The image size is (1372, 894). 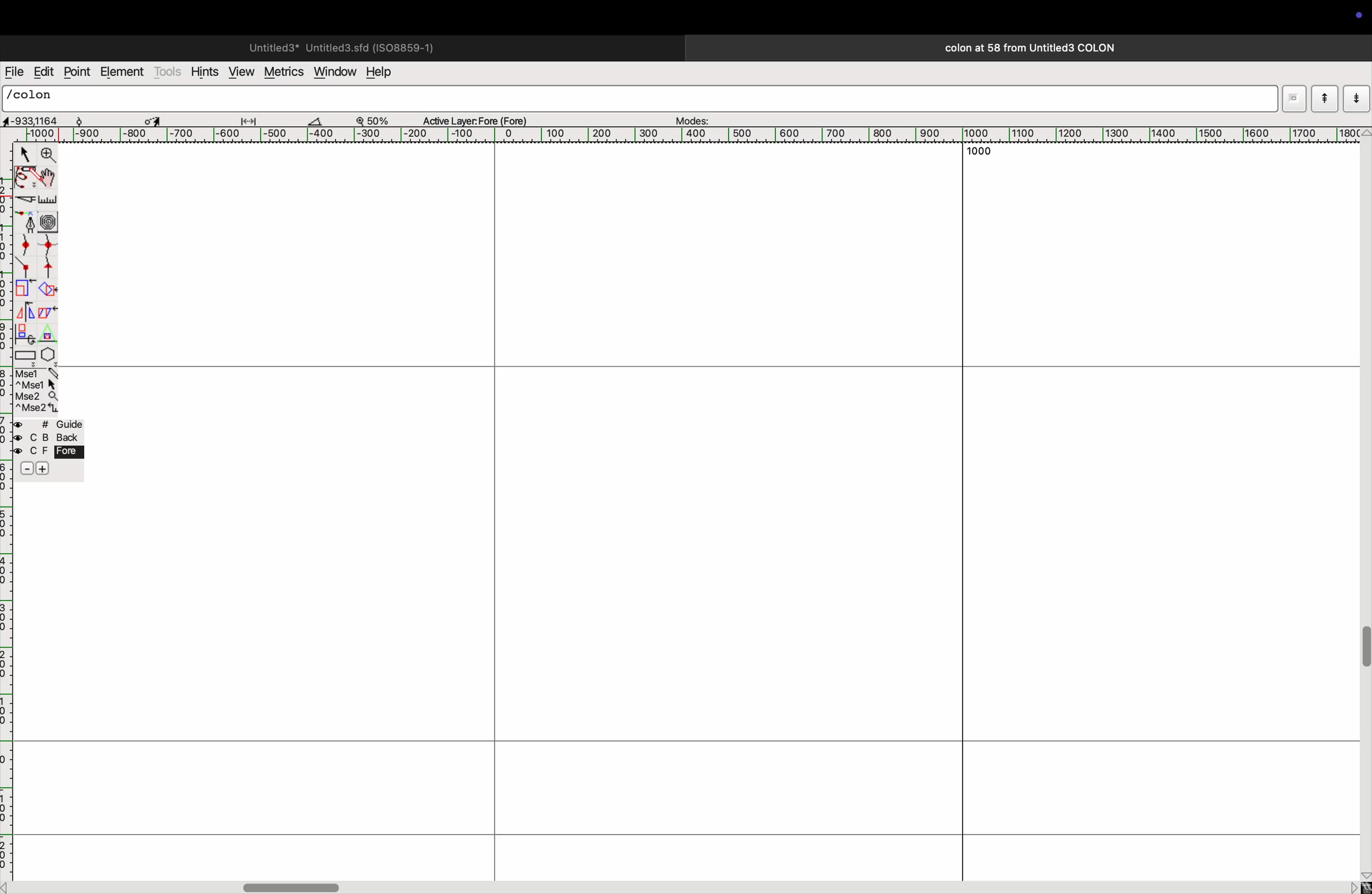 I want to click on zoom, so click(x=49, y=155).